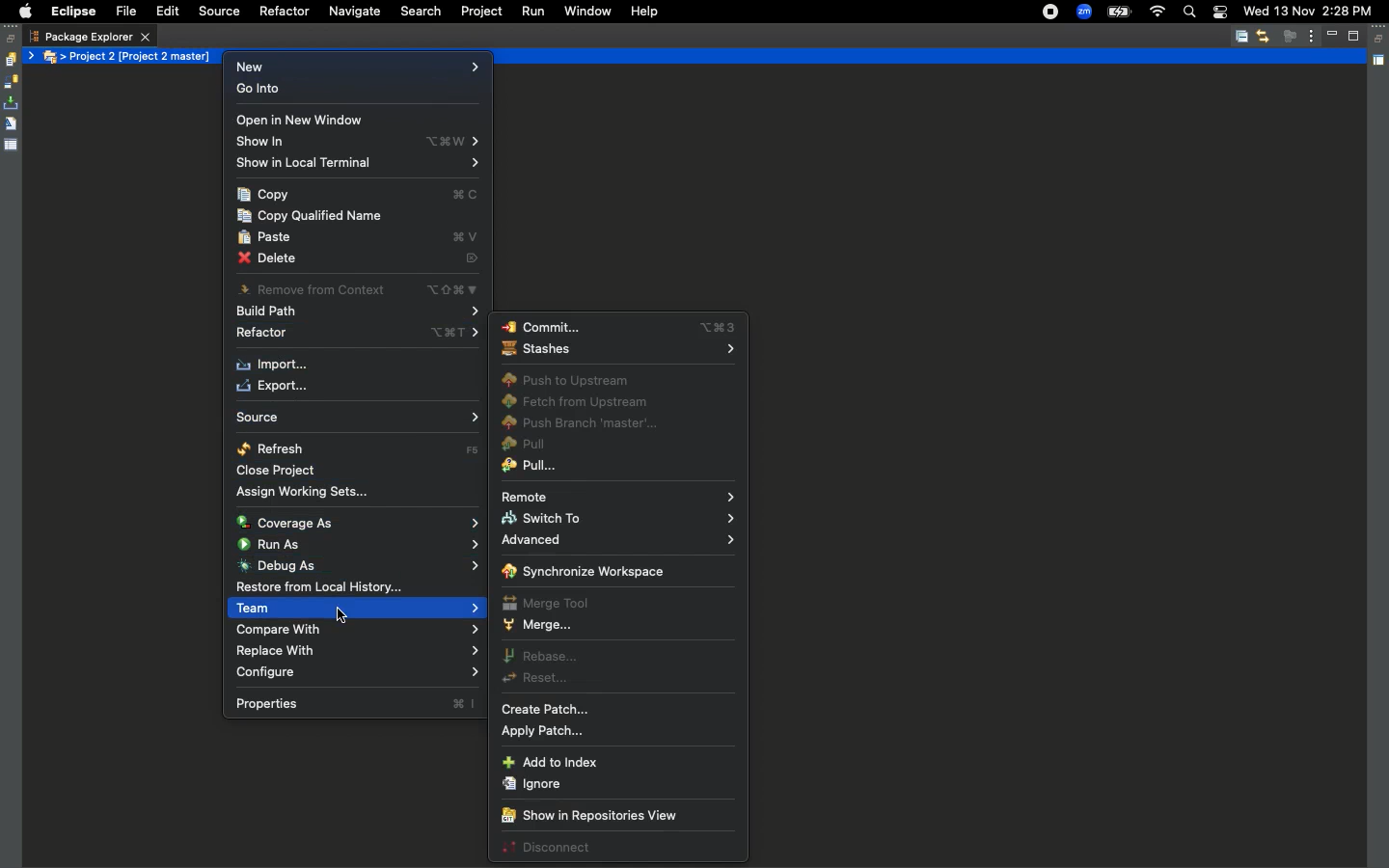  What do you see at coordinates (167, 13) in the screenshot?
I see `Edit` at bounding box center [167, 13].